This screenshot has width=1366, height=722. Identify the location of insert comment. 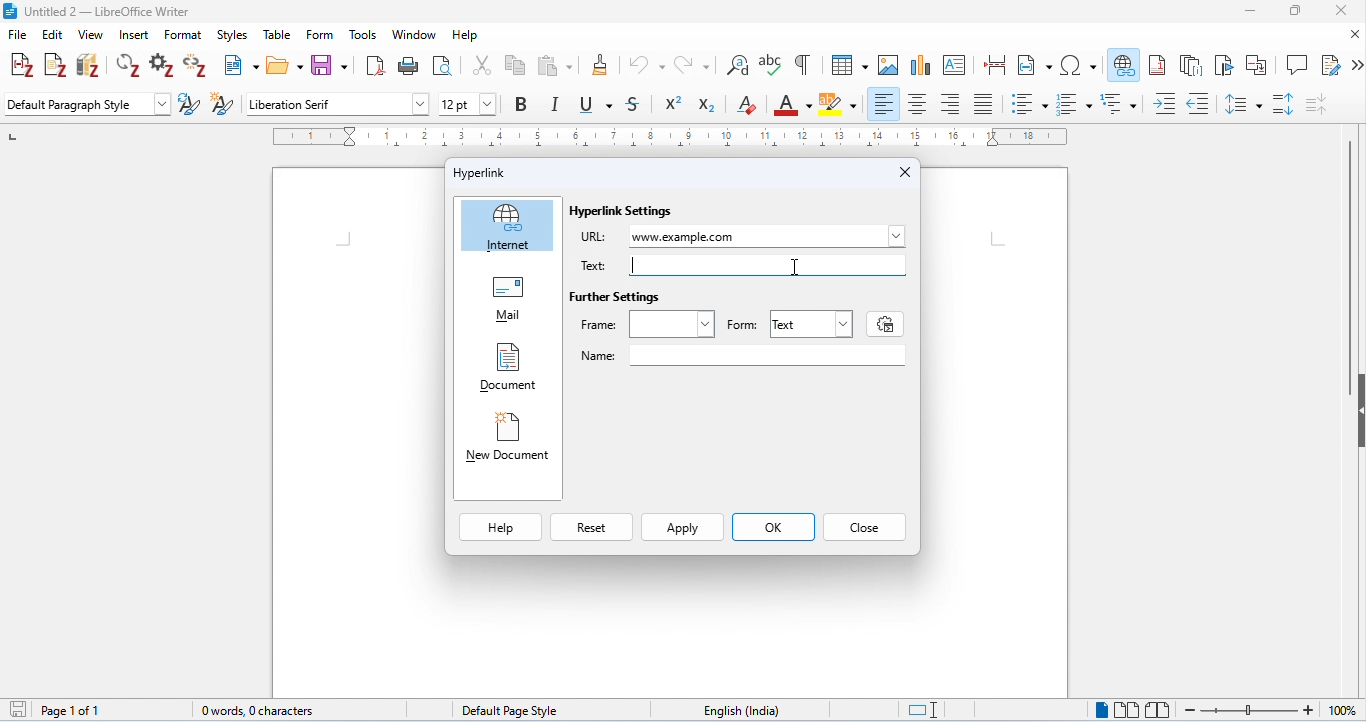
(1298, 65).